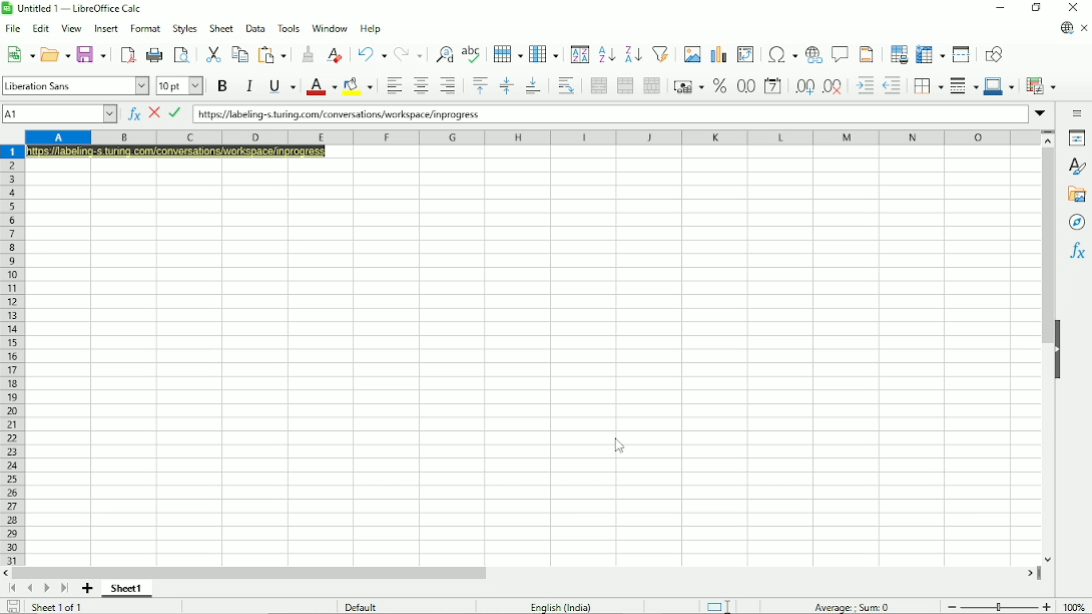  I want to click on sheet, so click(222, 28).